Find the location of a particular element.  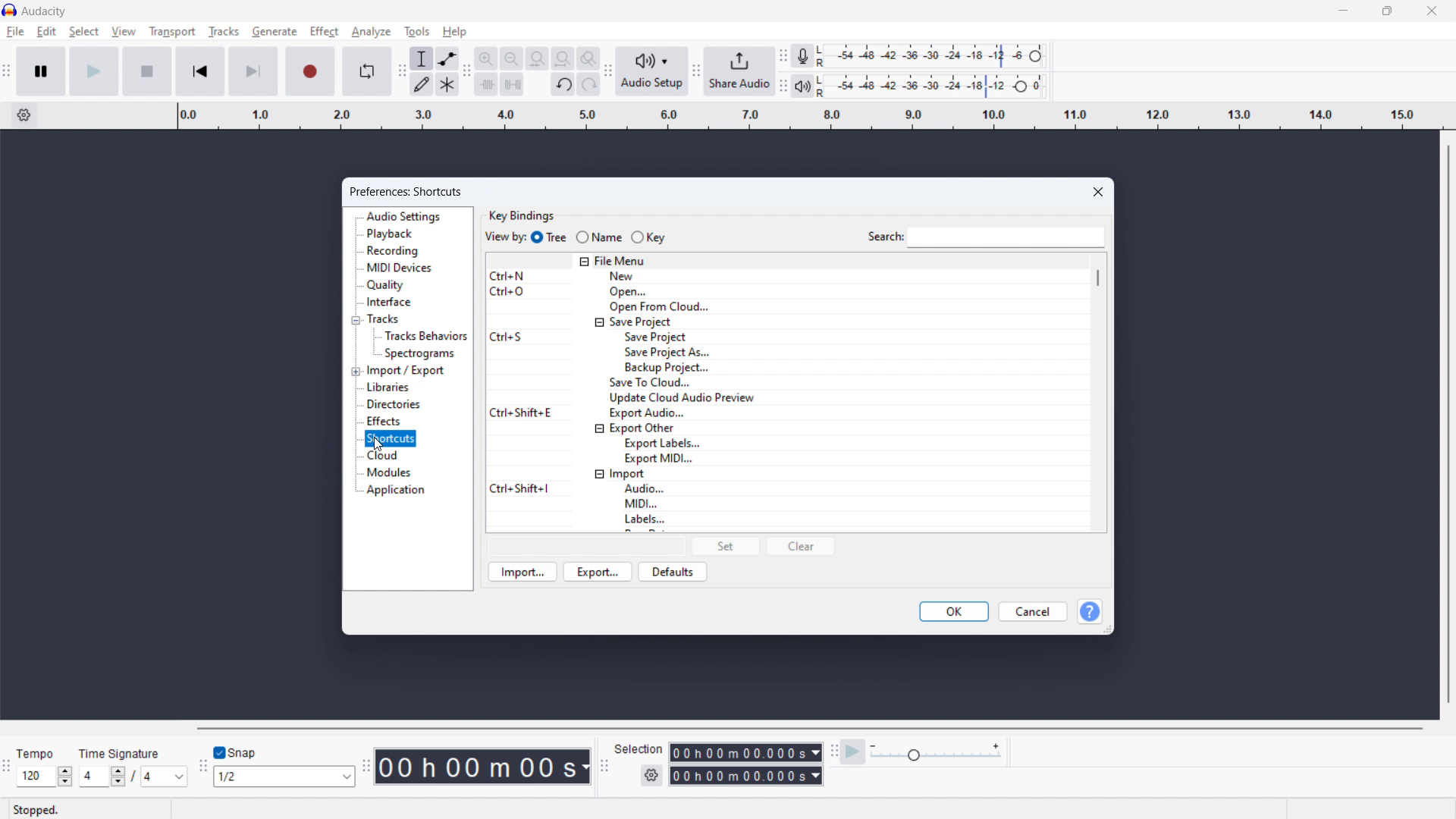

defaults is located at coordinates (674, 572).